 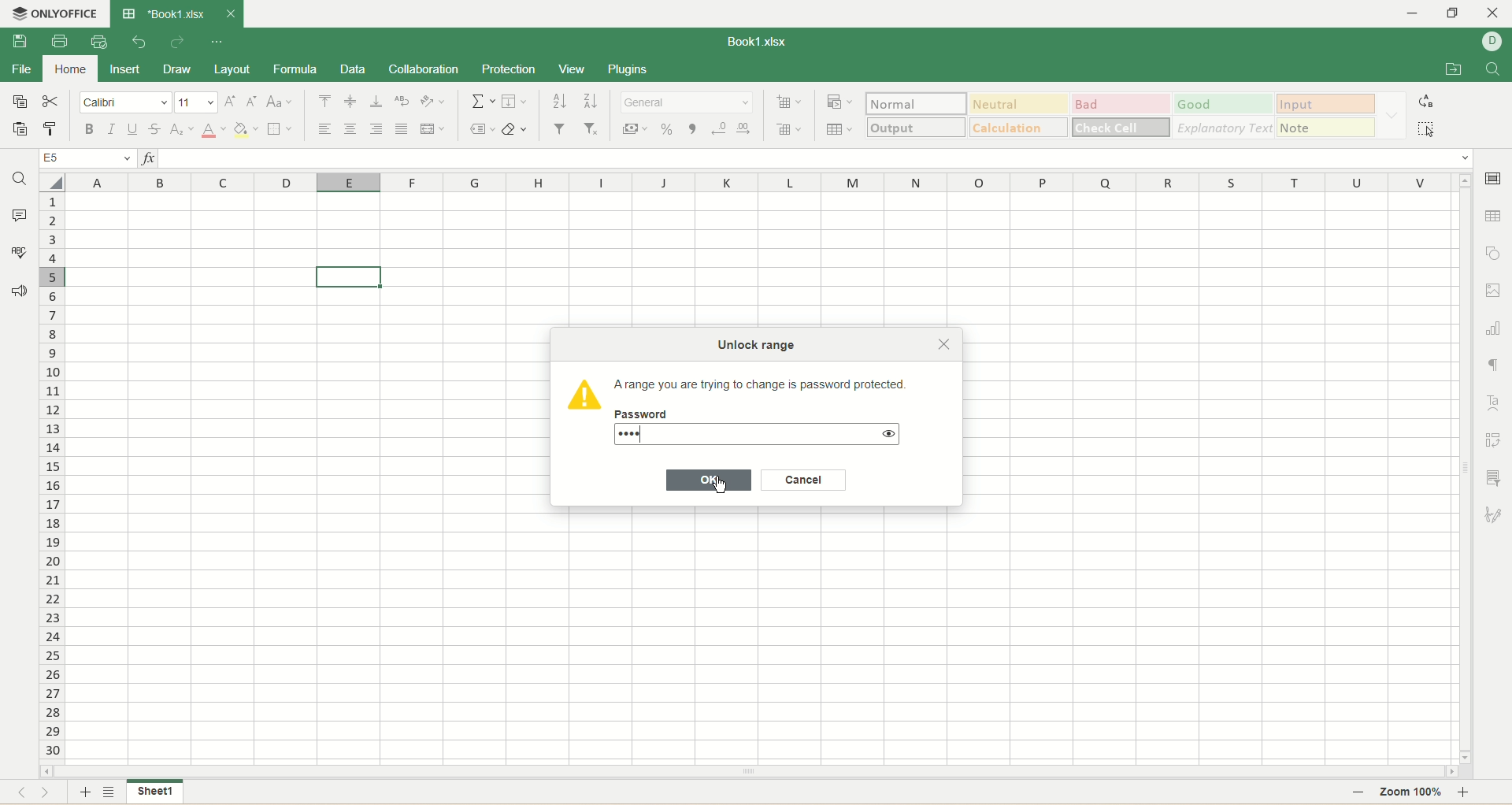 What do you see at coordinates (1448, 71) in the screenshot?
I see `open file location` at bounding box center [1448, 71].